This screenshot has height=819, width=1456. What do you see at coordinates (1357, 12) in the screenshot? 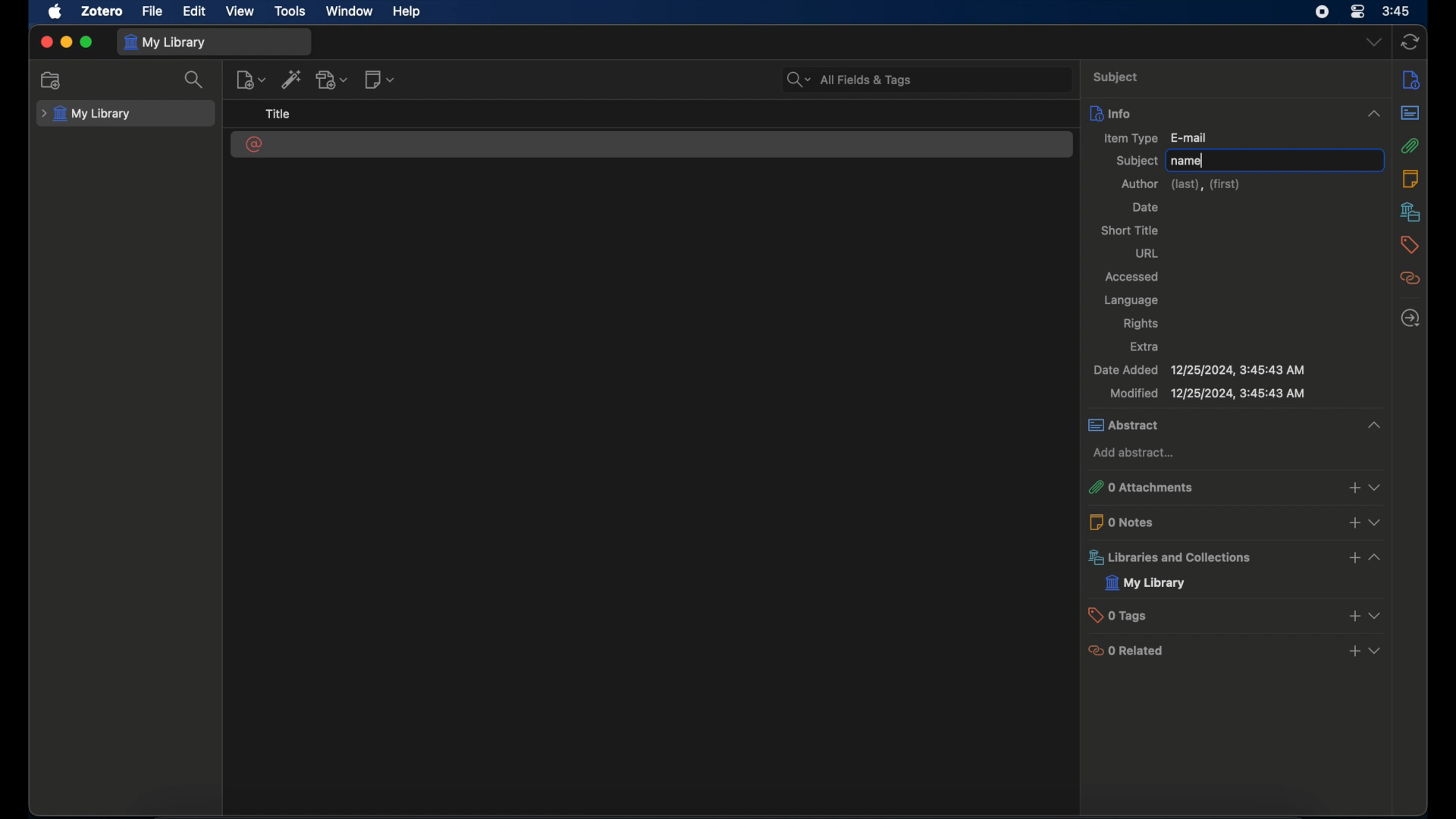
I see `control center` at bounding box center [1357, 12].